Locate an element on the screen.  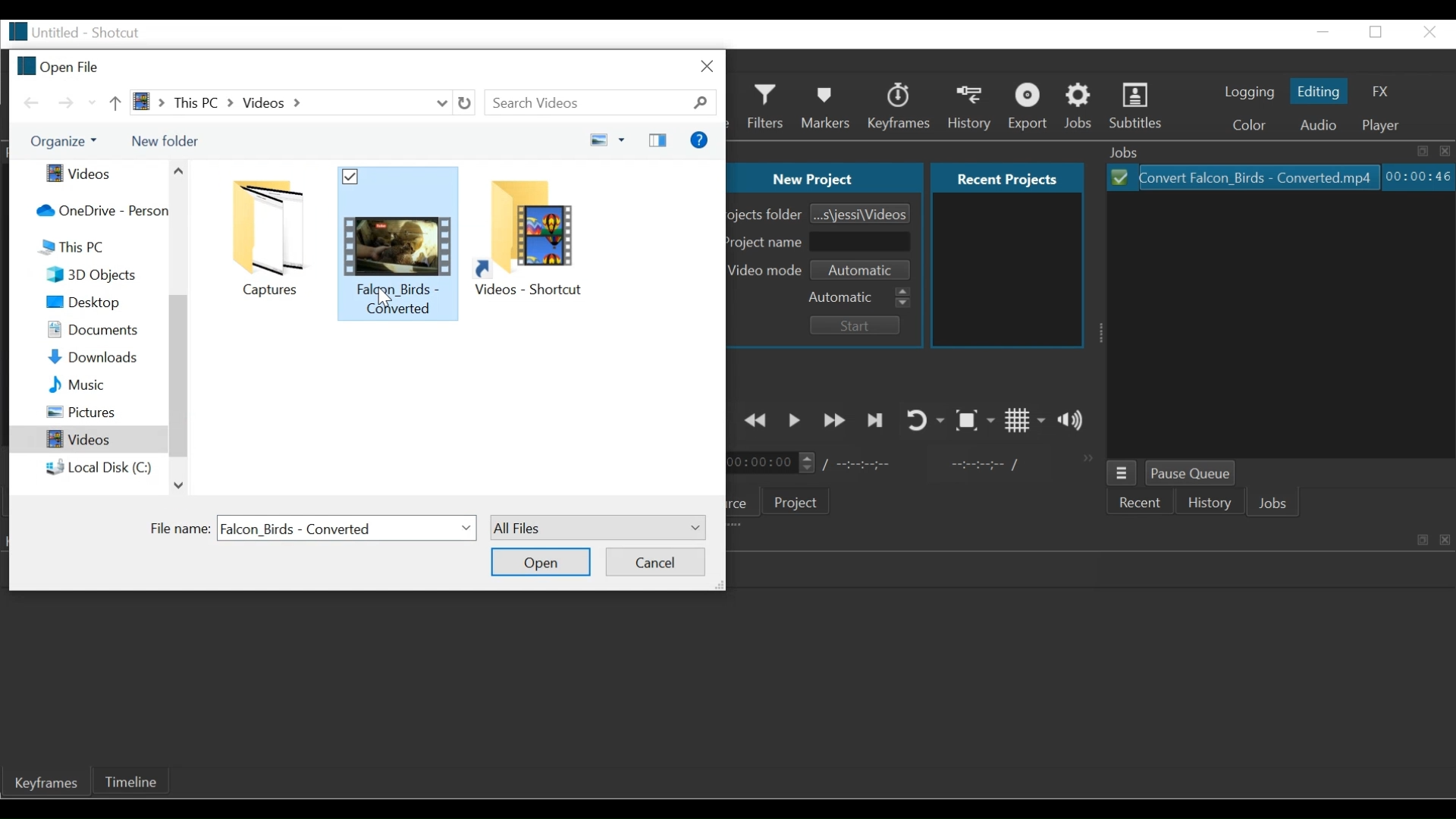
Go Forward is located at coordinates (66, 103).